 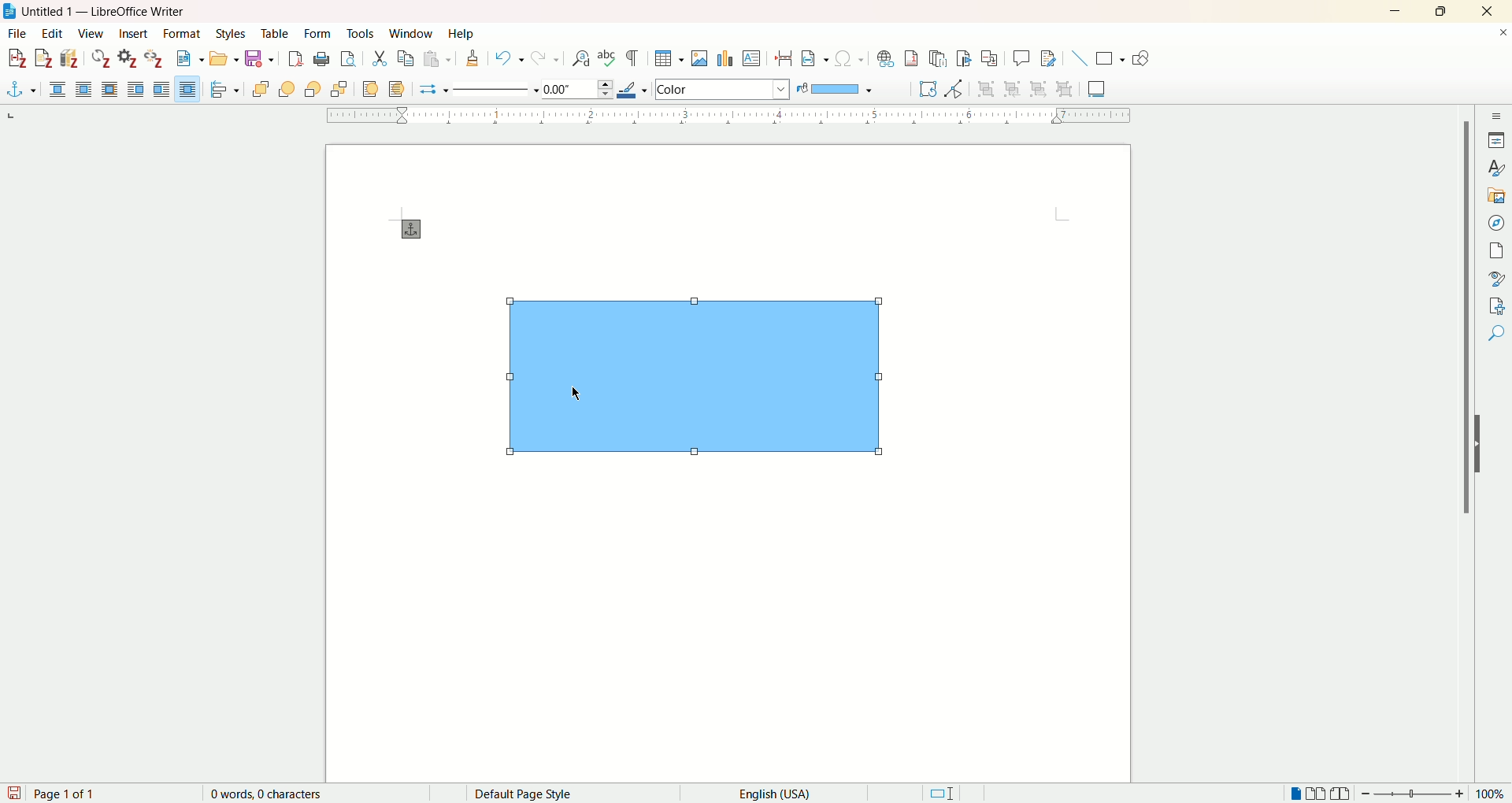 What do you see at coordinates (380, 59) in the screenshot?
I see `cut` at bounding box center [380, 59].